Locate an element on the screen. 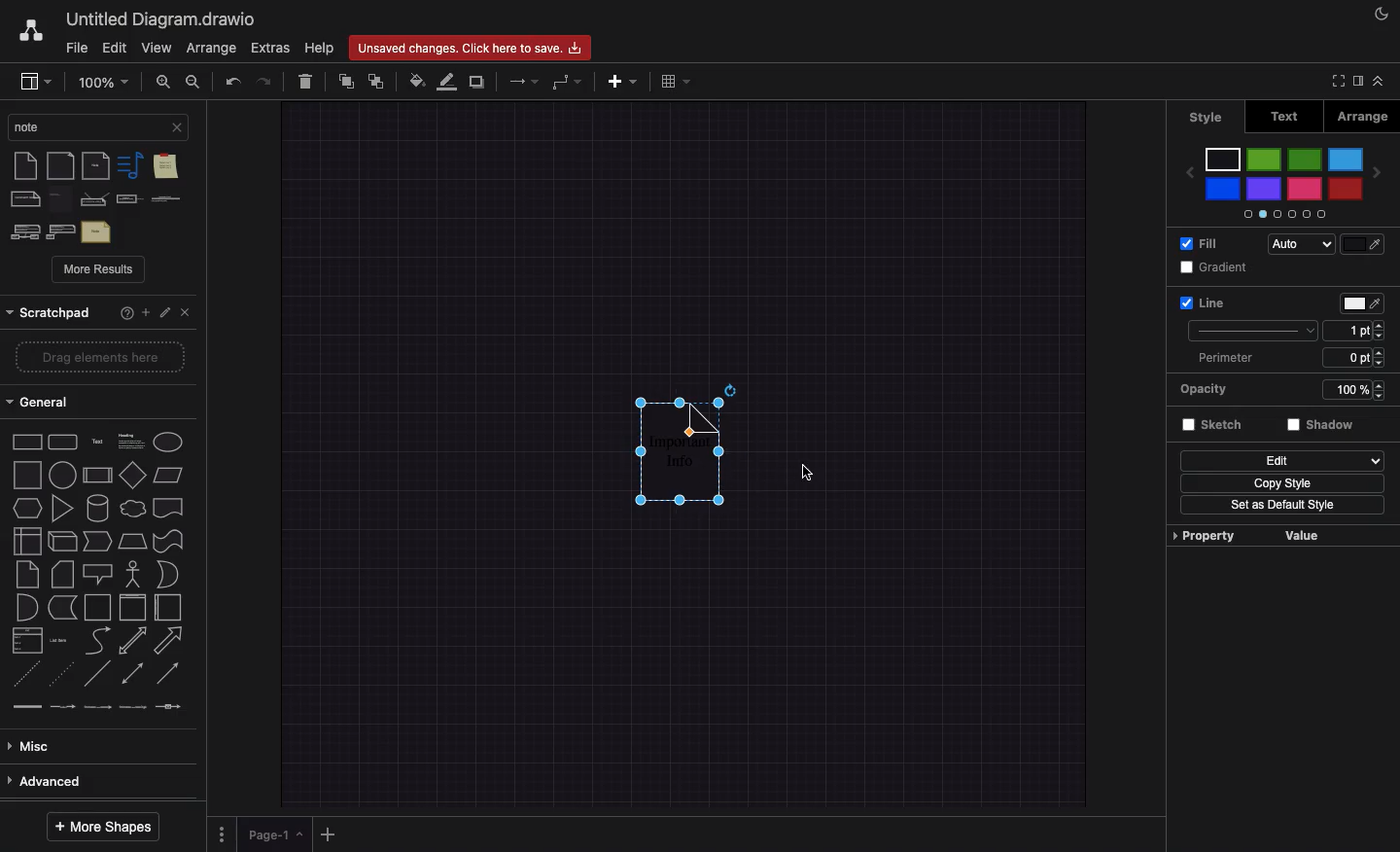 This screenshot has height=852, width=1400. actor is located at coordinates (132, 574).